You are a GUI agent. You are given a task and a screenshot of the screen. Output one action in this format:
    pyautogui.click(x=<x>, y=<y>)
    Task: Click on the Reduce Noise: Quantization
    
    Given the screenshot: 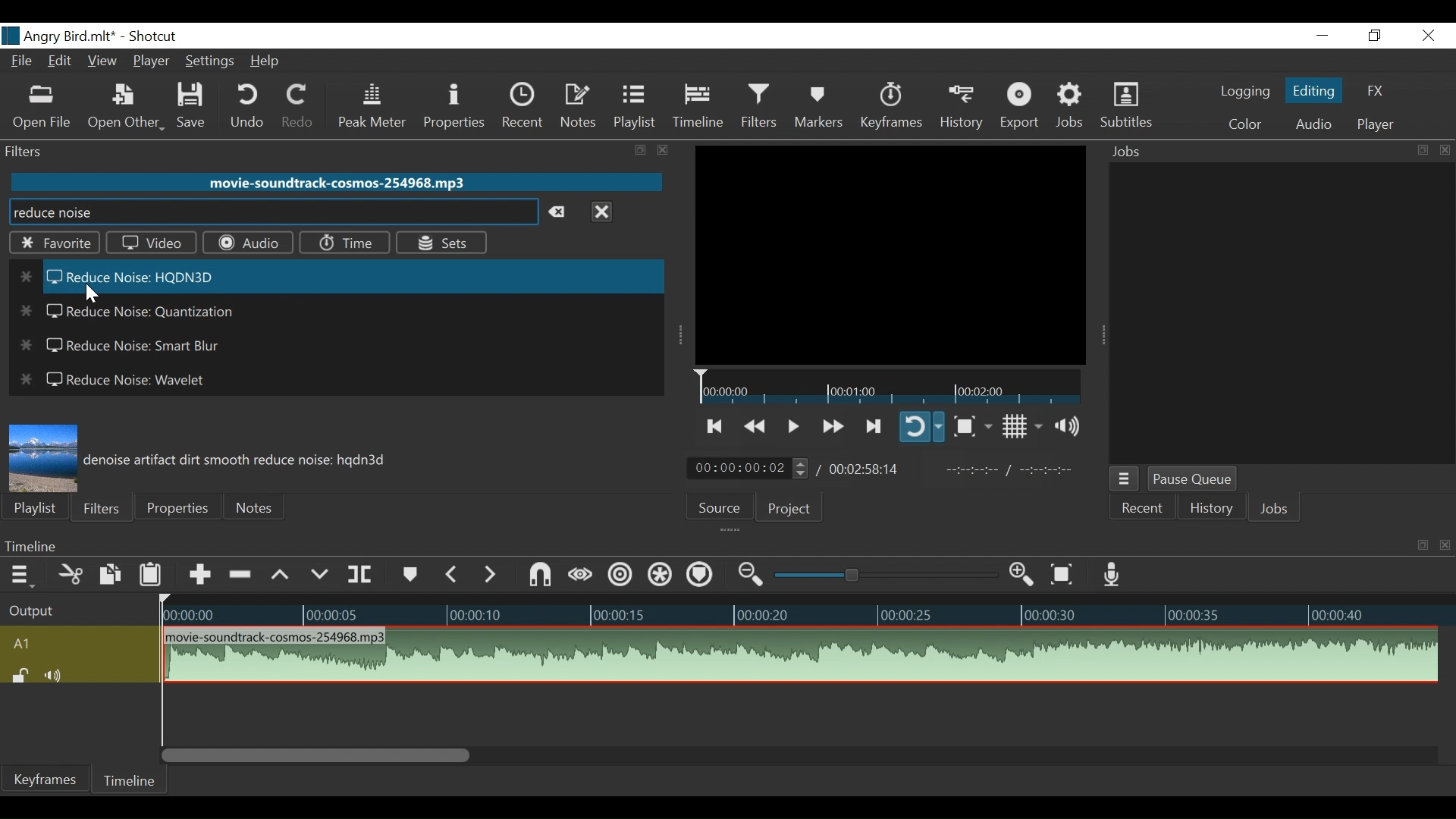 What is the action you would take?
    pyautogui.click(x=130, y=312)
    